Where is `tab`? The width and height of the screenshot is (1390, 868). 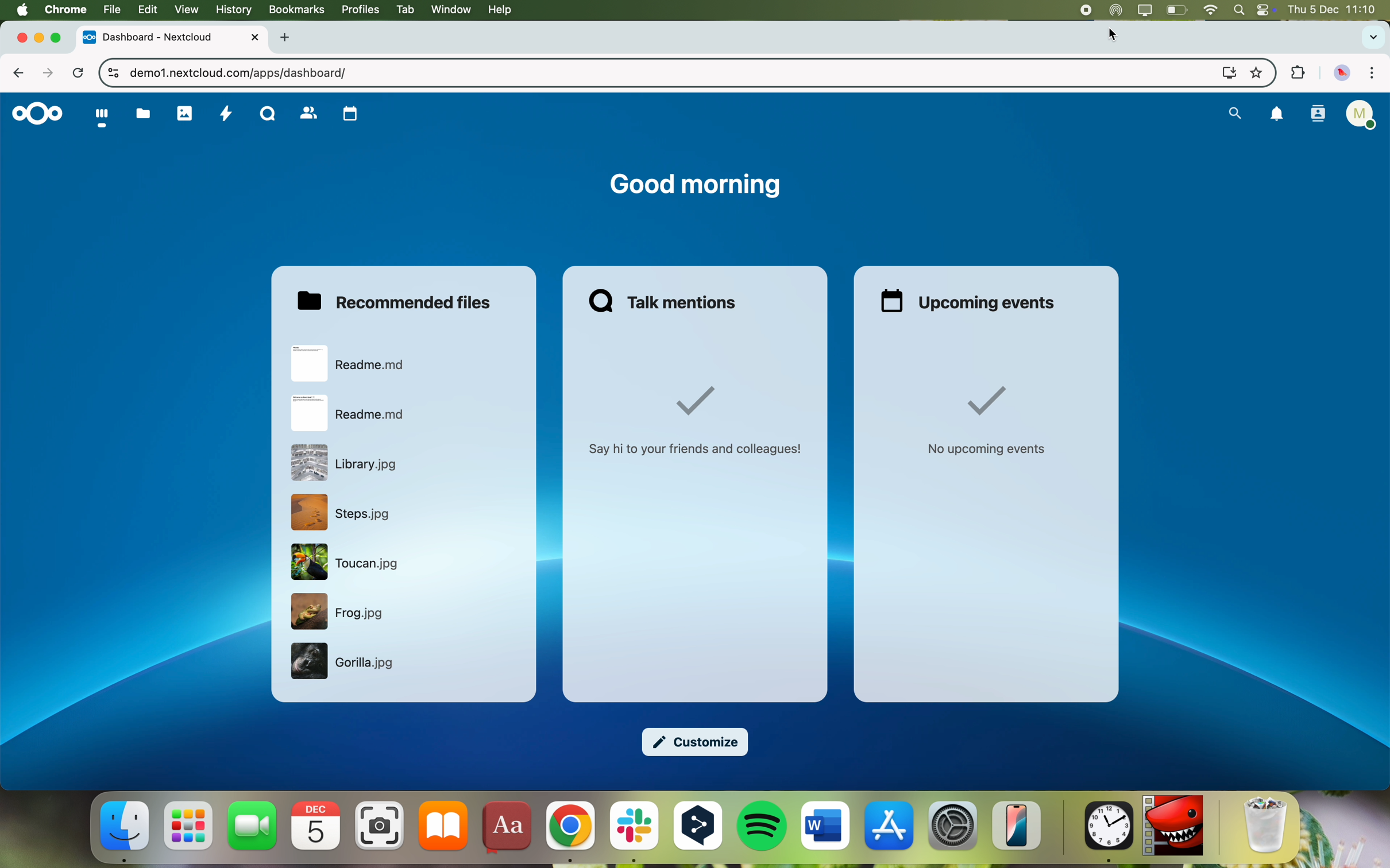
tab is located at coordinates (173, 37).